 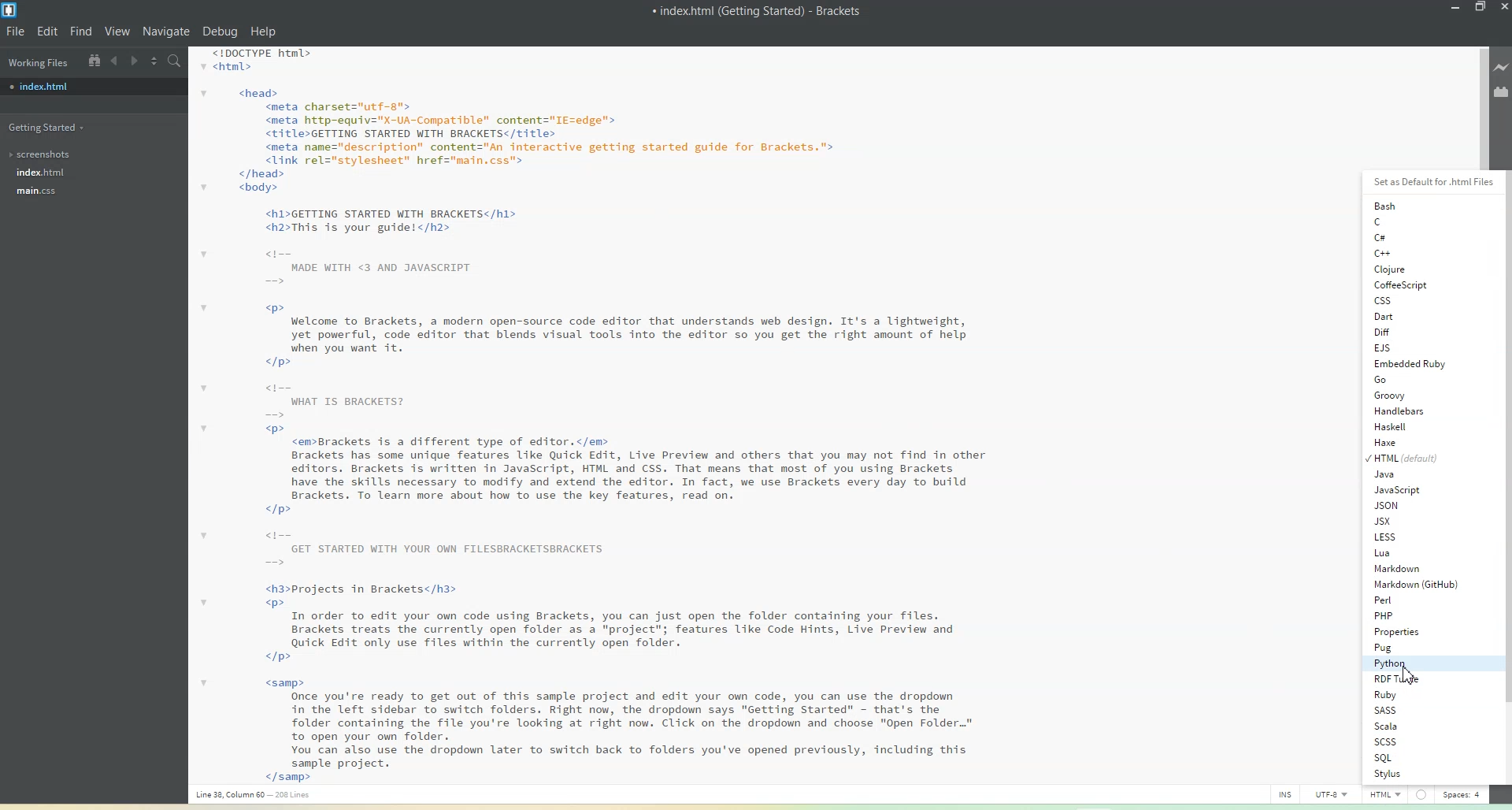 What do you see at coordinates (1399, 300) in the screenshot?
I see `CSS` at bounding box center [1399, 300].